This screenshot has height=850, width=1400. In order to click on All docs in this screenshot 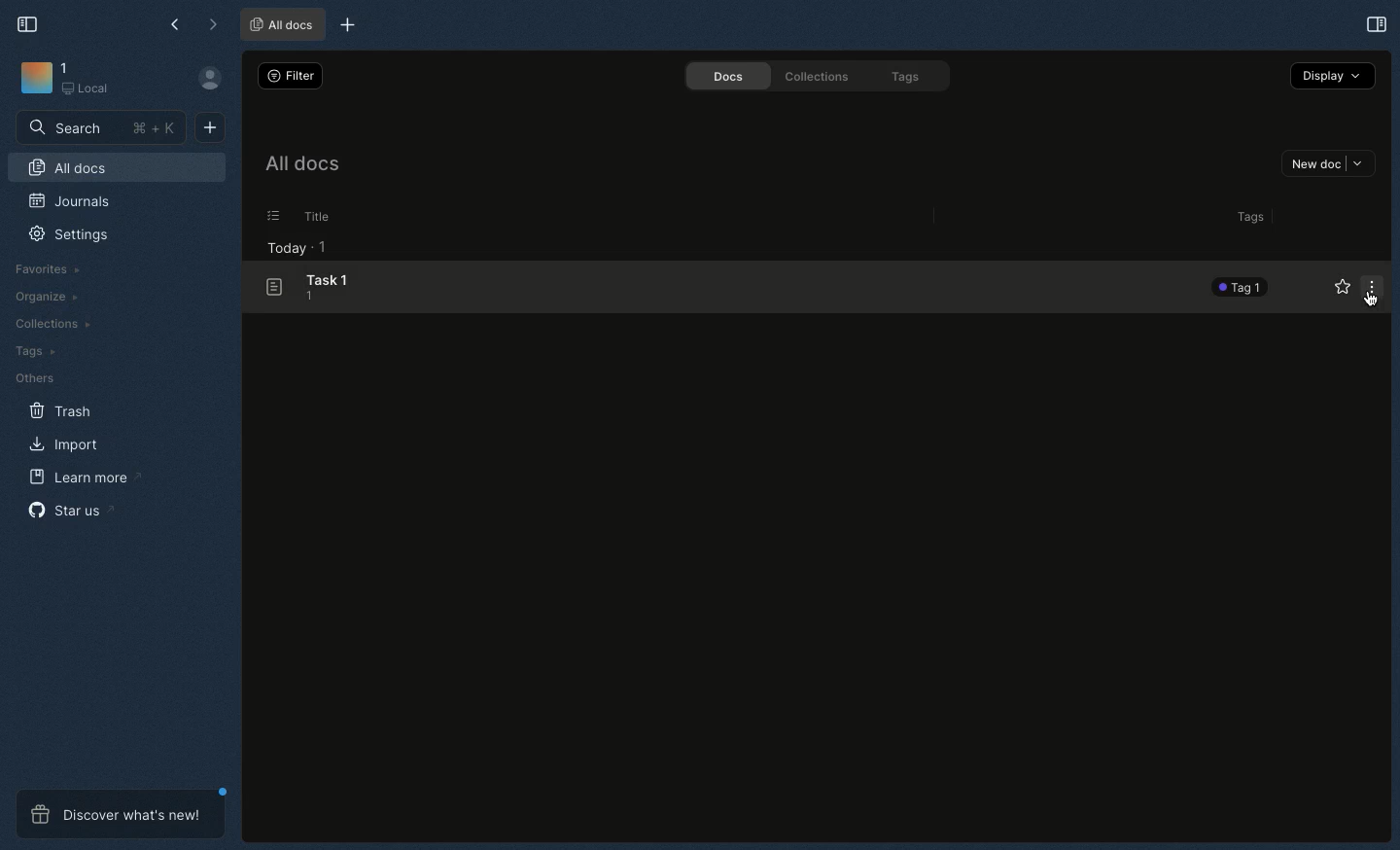, I will do `click(113, 167)`.